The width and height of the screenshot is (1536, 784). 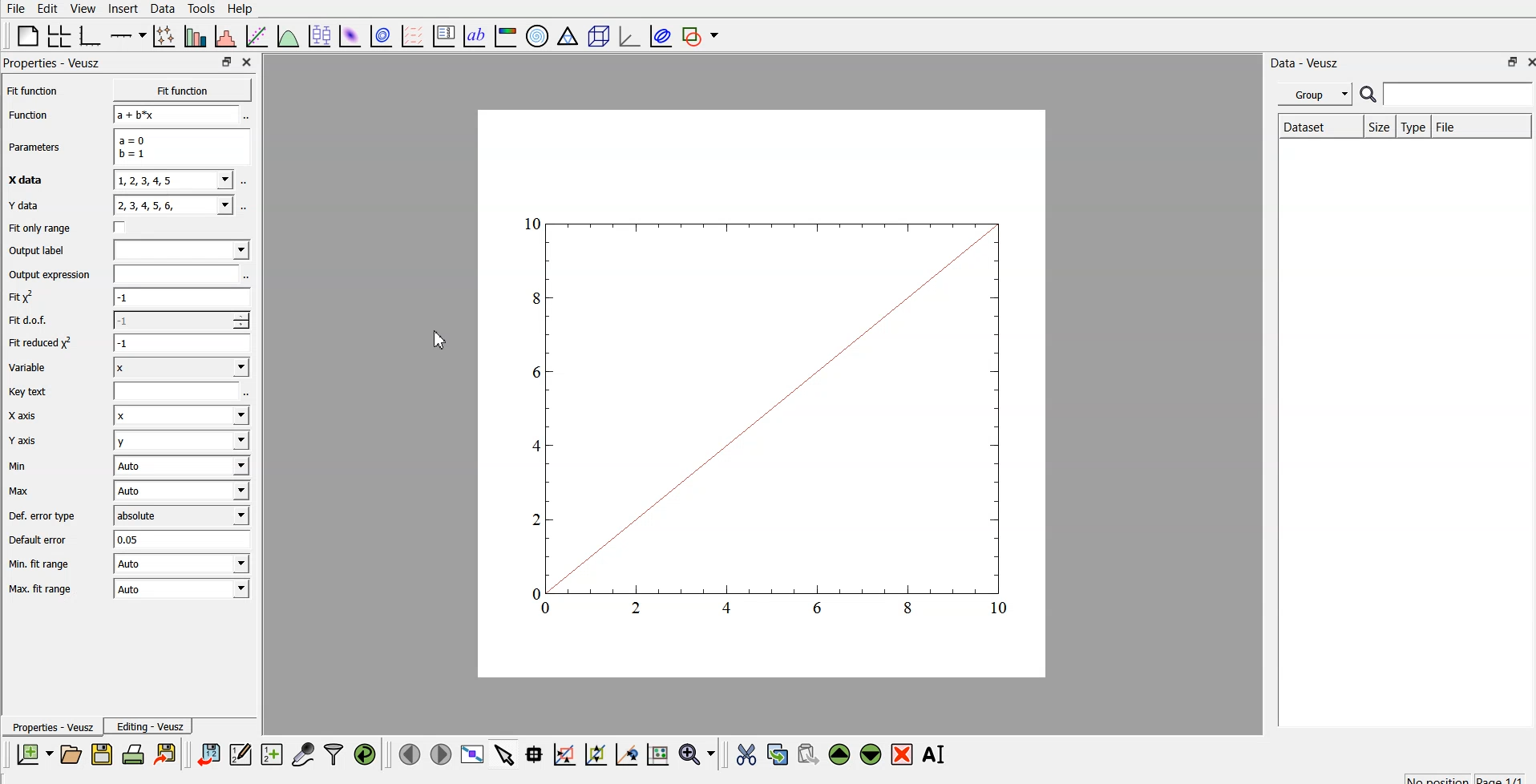 I want to click on Max. fit range, so click(x=41, y=590).